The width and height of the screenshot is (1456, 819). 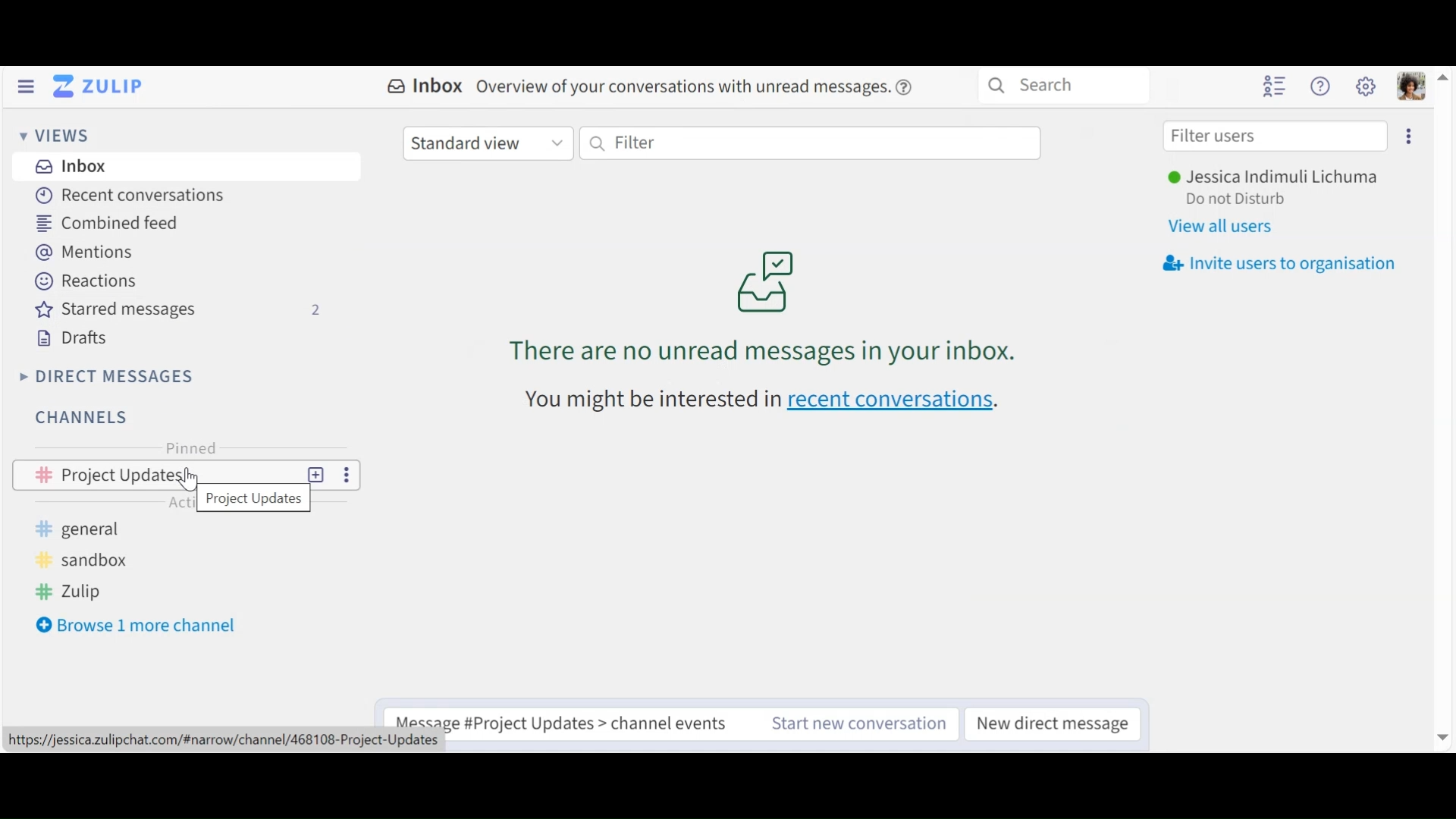 I want to click on Channel, so click(x=106, y=475).